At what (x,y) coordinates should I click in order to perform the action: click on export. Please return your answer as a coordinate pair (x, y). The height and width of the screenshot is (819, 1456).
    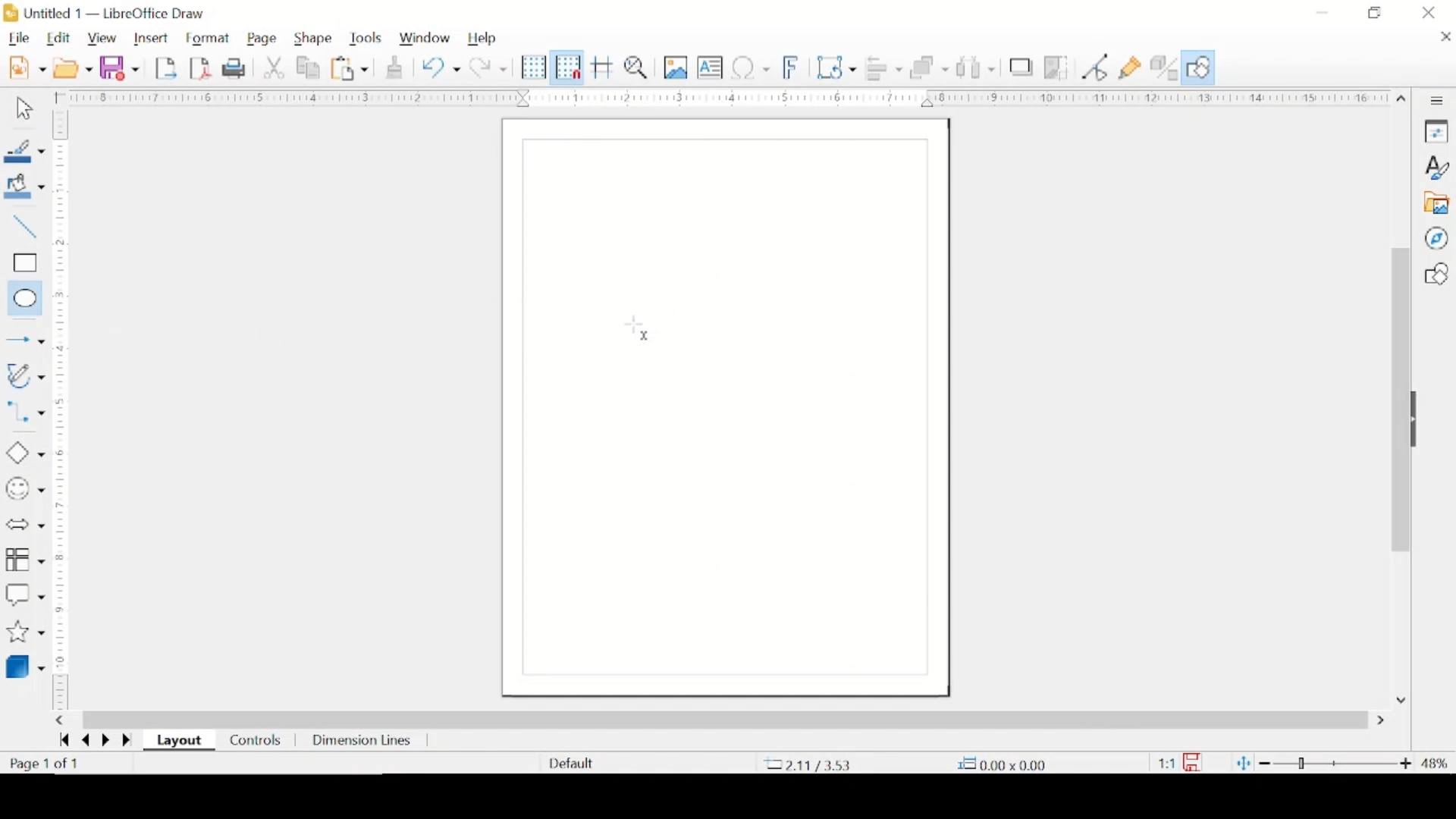
    Looking at the image, I should click on (168, 67).